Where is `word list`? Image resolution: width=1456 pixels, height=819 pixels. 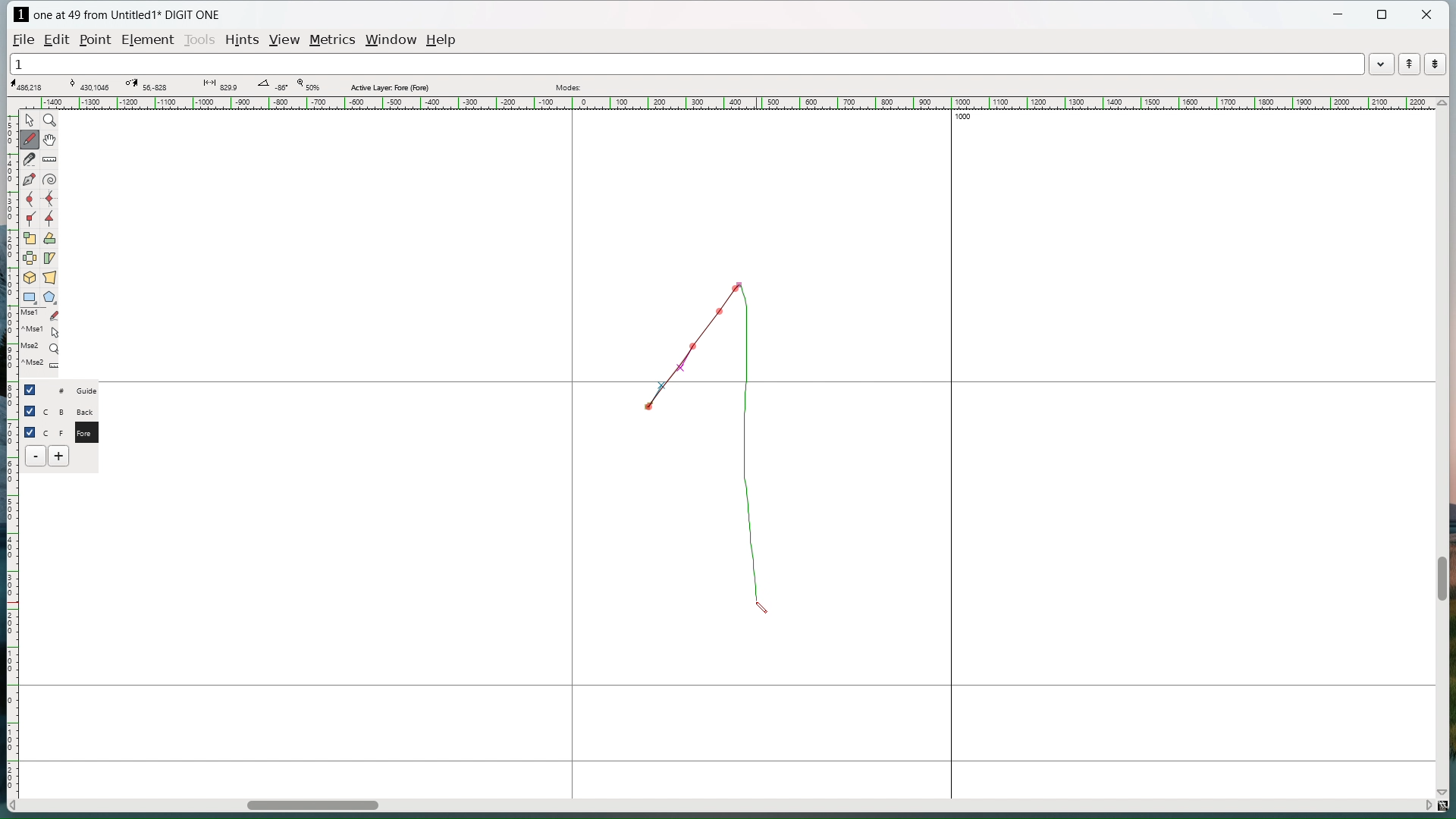 word list is located at coordinates (1382, 63).